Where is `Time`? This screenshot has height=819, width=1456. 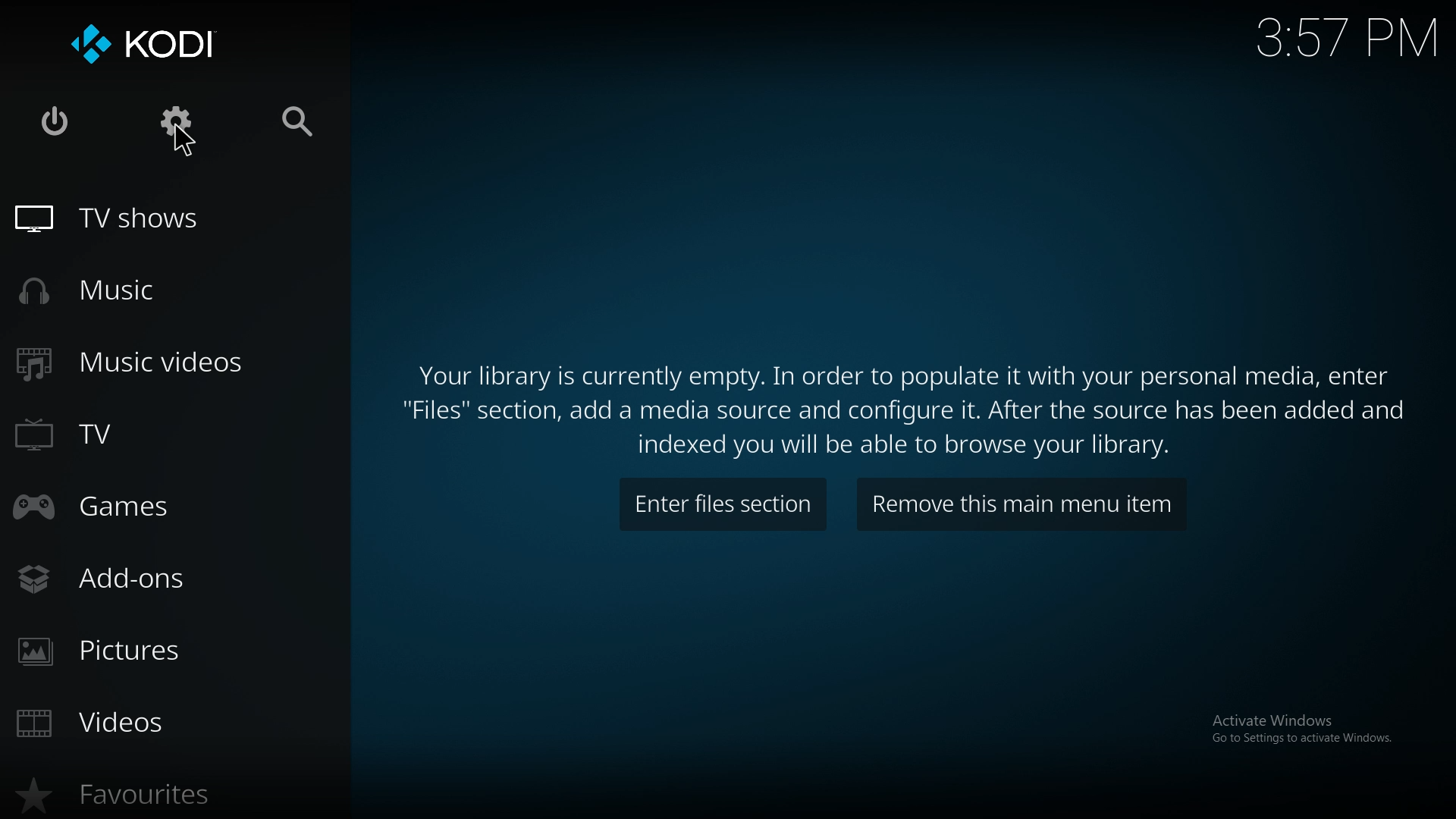 Time is located at coordinates (1349, 39).